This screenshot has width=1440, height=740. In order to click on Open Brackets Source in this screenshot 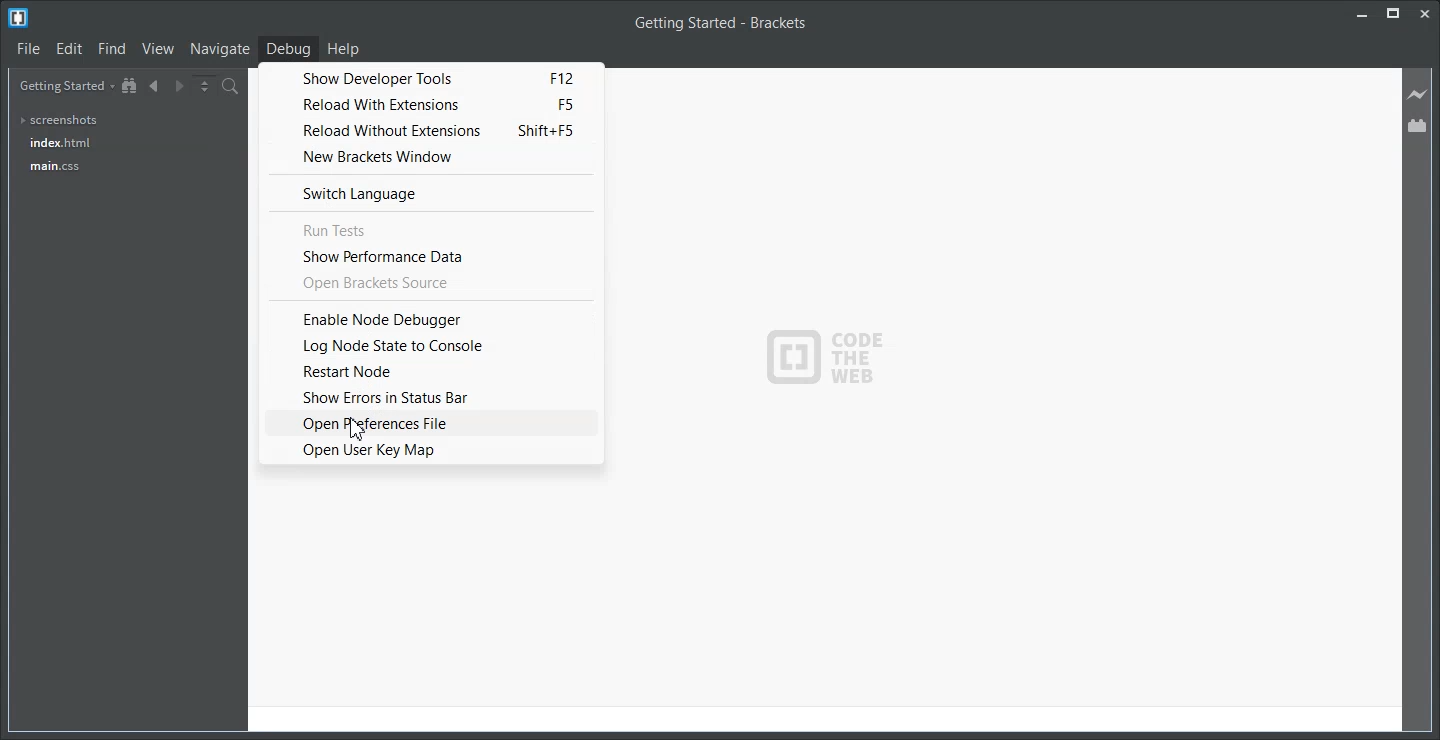, I will do `click(430, 284)`.